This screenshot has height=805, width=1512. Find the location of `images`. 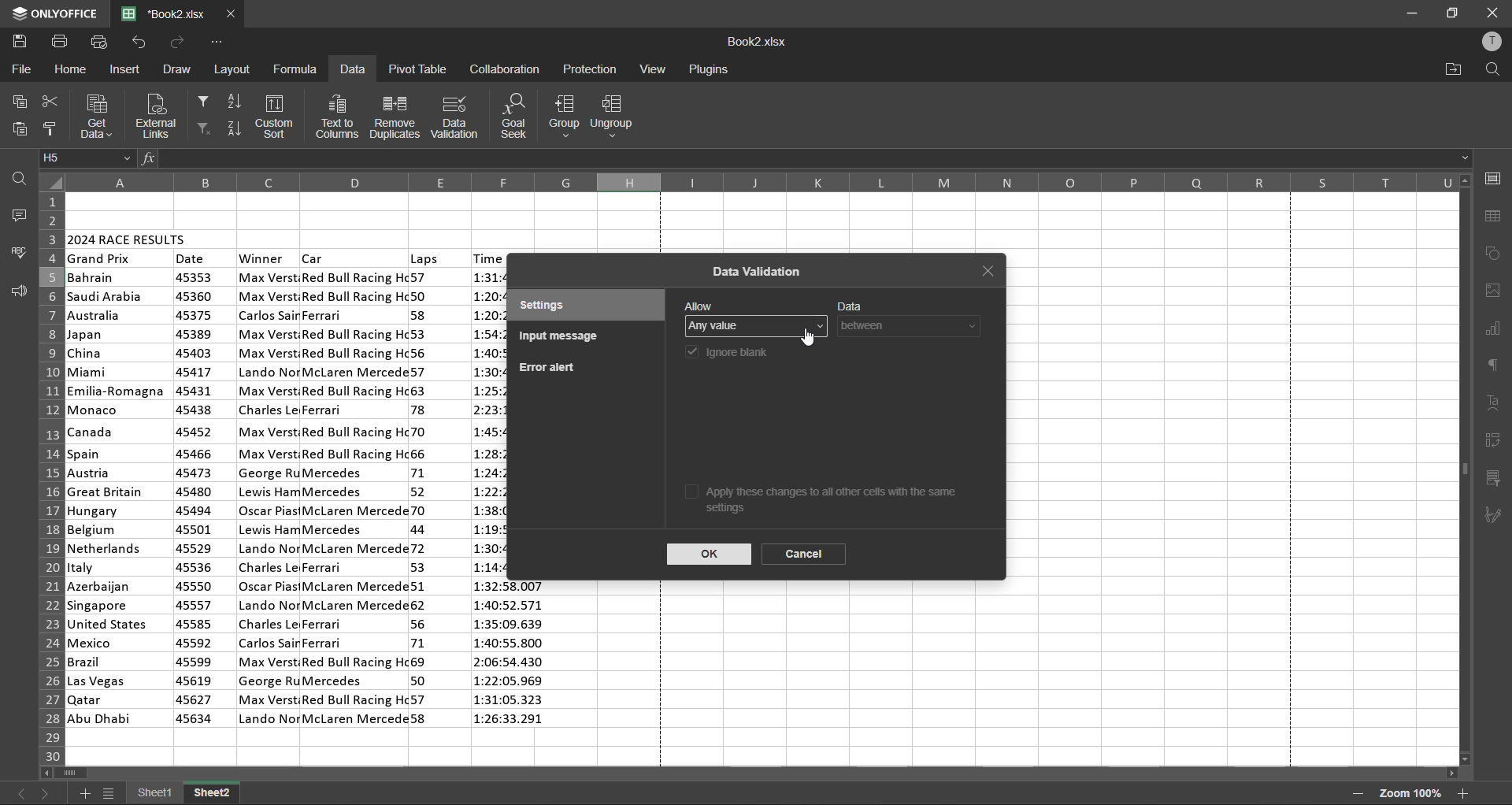

images is located at coordinates (1494, 291).